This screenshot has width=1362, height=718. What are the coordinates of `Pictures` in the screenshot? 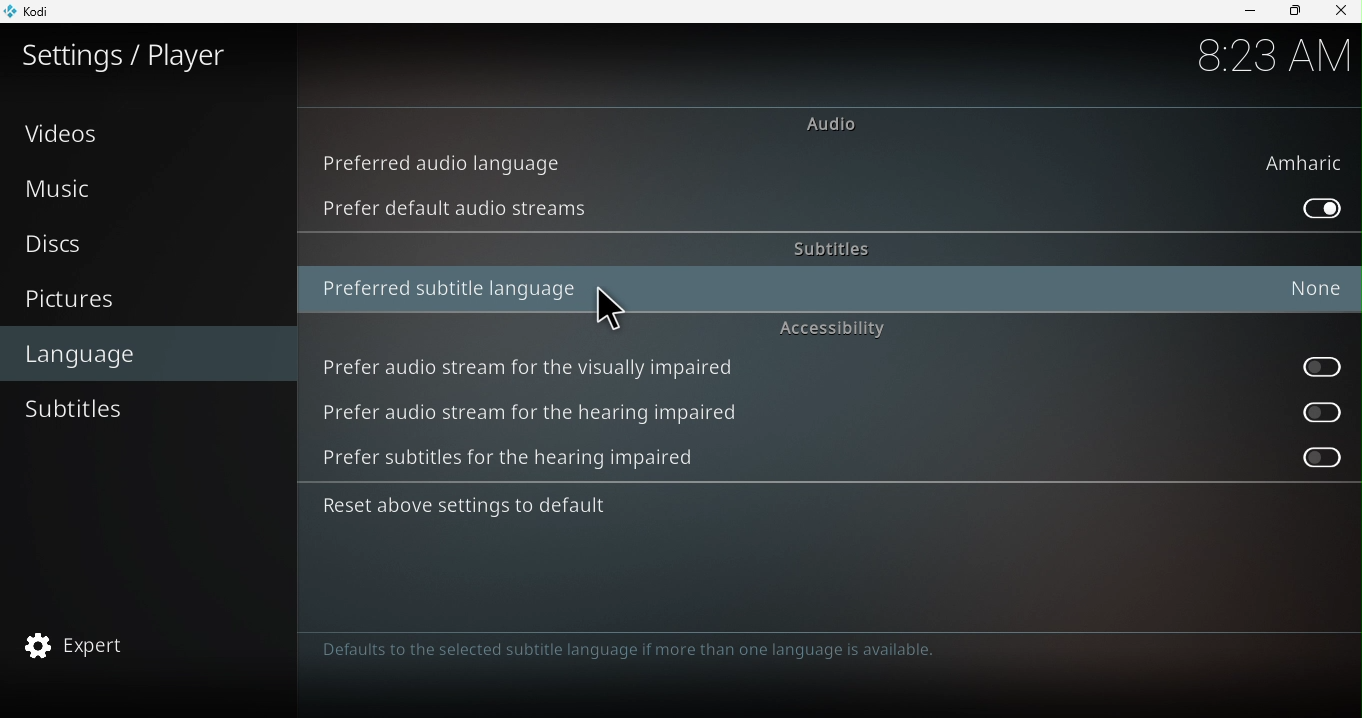 It's located at (147, 301).